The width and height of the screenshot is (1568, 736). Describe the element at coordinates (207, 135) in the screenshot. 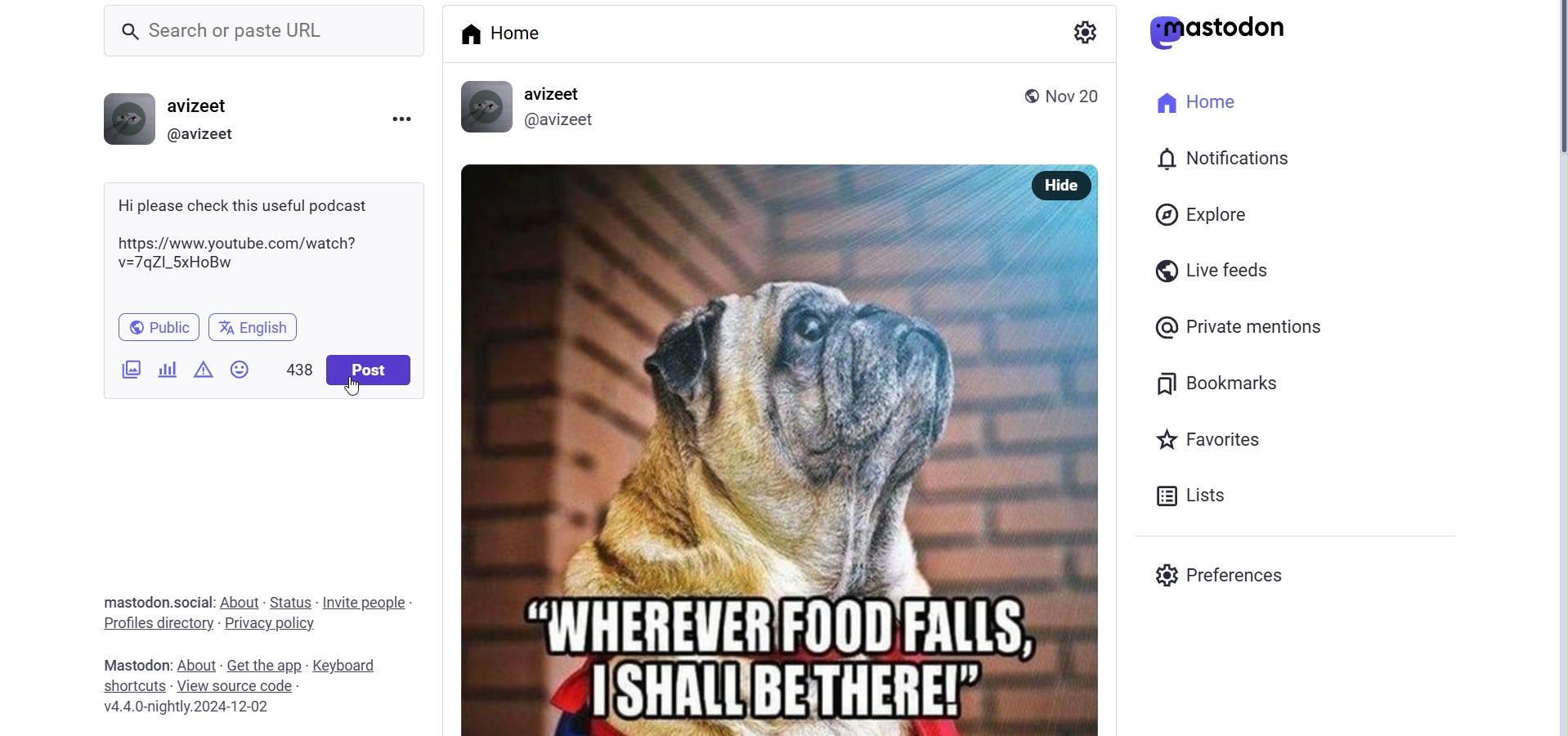

I see `@username` at that location.